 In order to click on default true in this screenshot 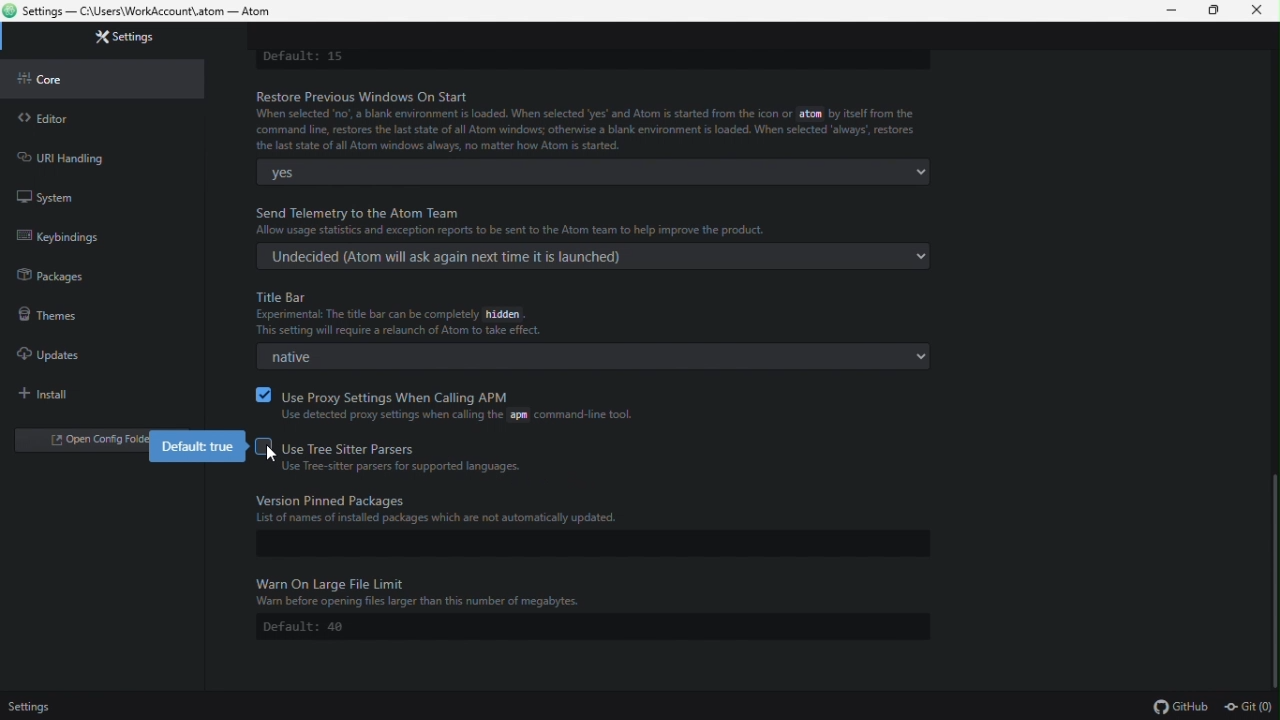, I will do `click(201, 447)`.